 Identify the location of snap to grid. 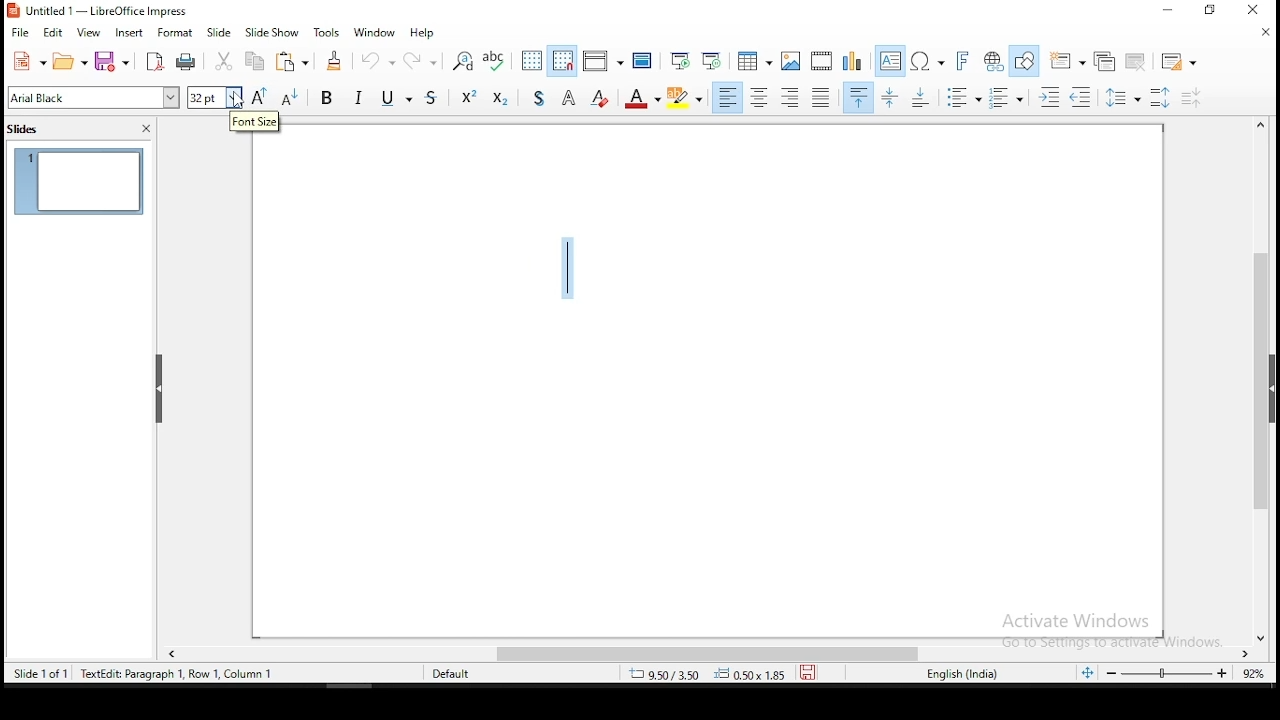
(563, 59).